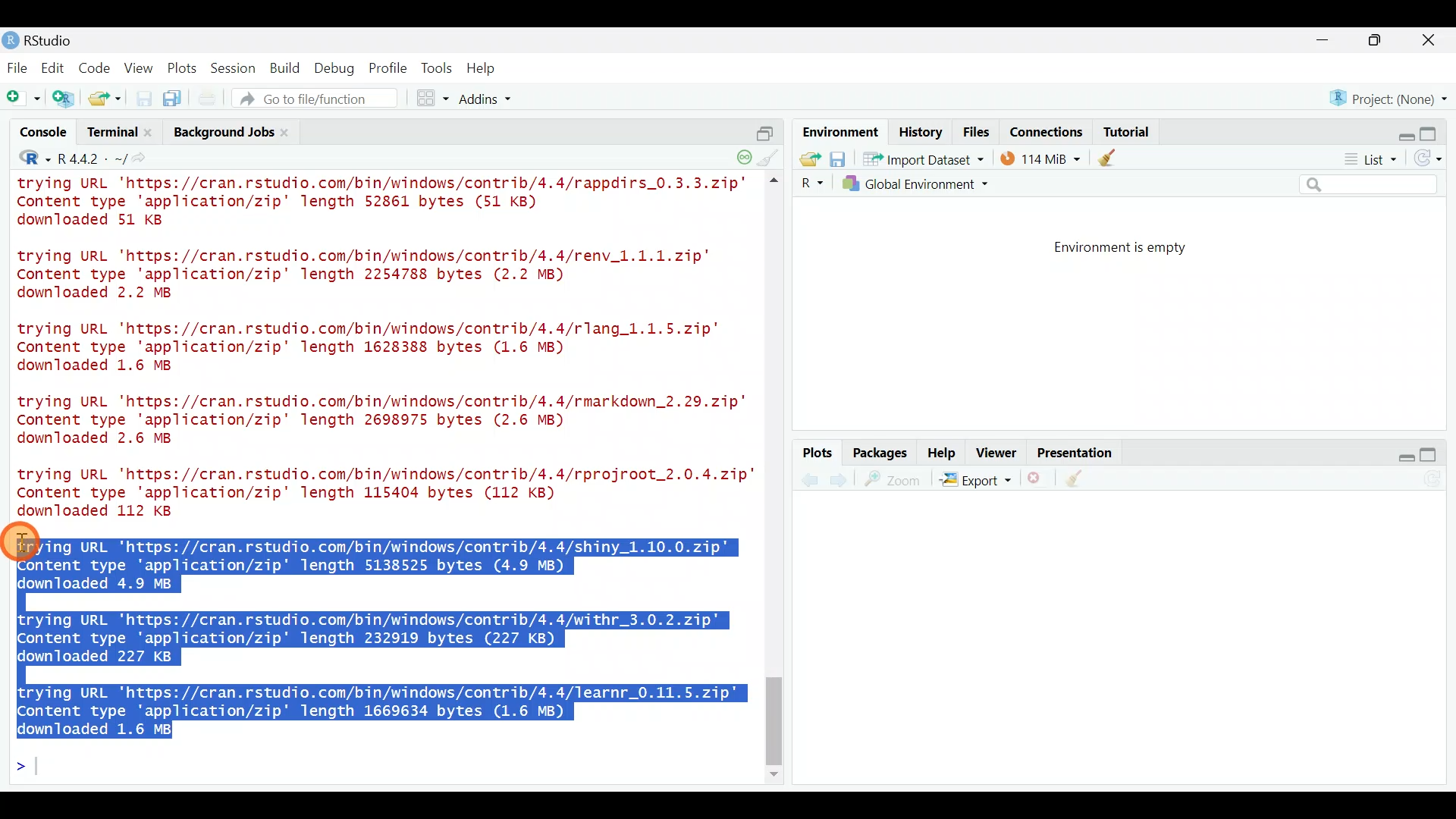 This screenshot has width=1456, height=819. What do you see at coordinates (372, 638) in the screenshot?
I see `trying URL 'https://cran.rstudio.com/bin/windows/contrib/4.4/withr_3.0.2.zip"
Content type 'application/zip' length 232919 bytes (227 KB)
downloaded 227 KB` at bounding box center [372, 638].